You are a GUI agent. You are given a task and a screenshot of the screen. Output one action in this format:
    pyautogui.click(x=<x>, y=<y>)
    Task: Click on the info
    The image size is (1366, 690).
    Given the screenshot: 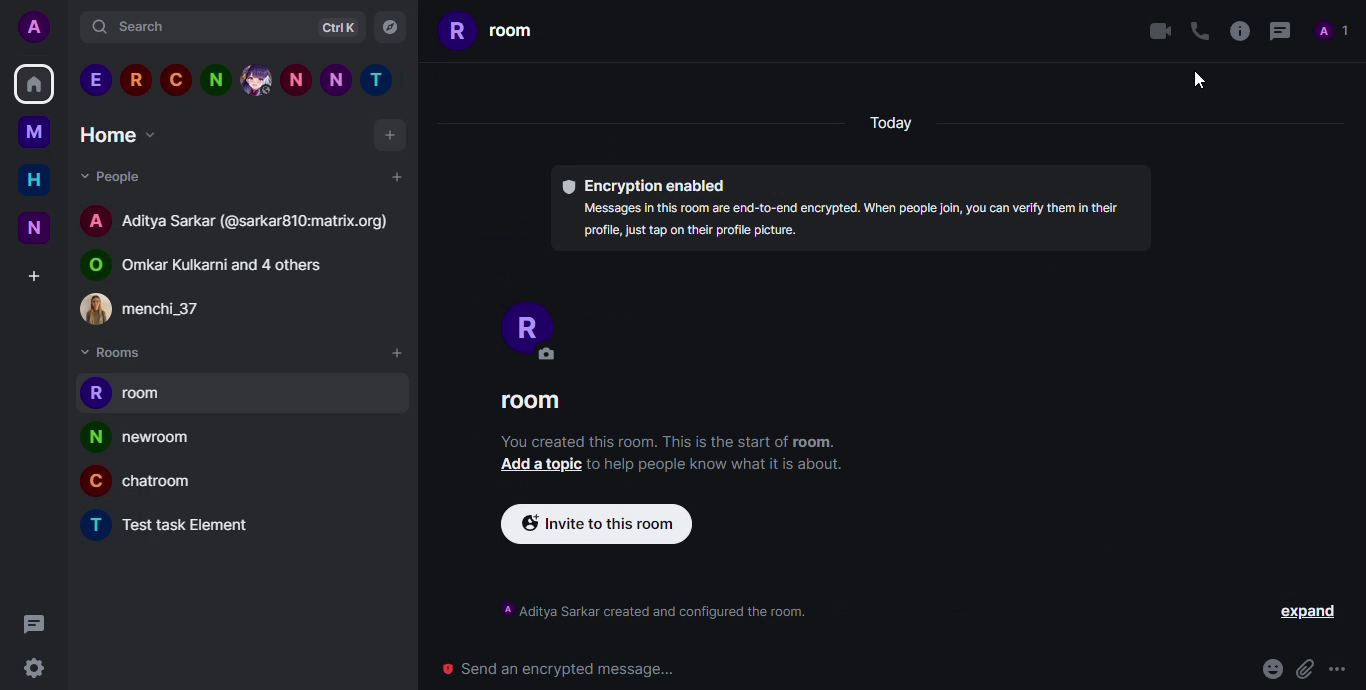 What is the action you would take?
    pyautogui.click(x=719, y=465)
    